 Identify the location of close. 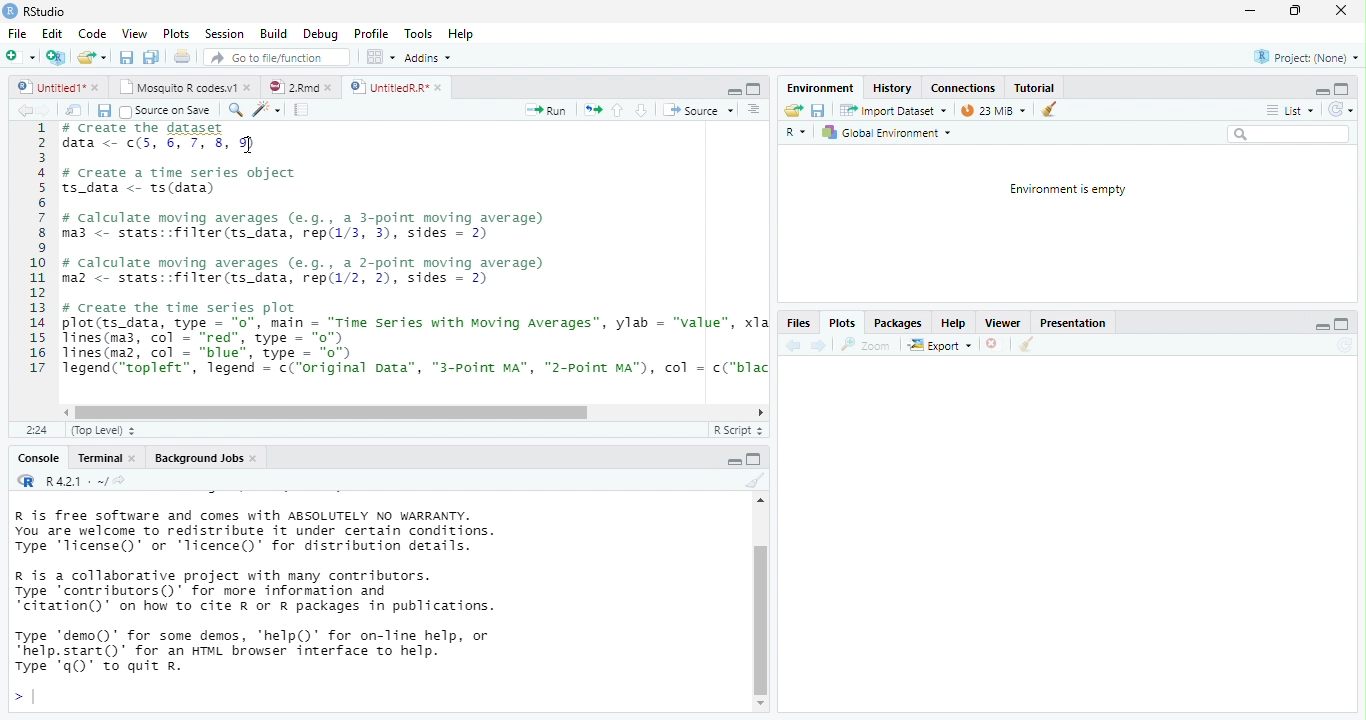
(250, 86).